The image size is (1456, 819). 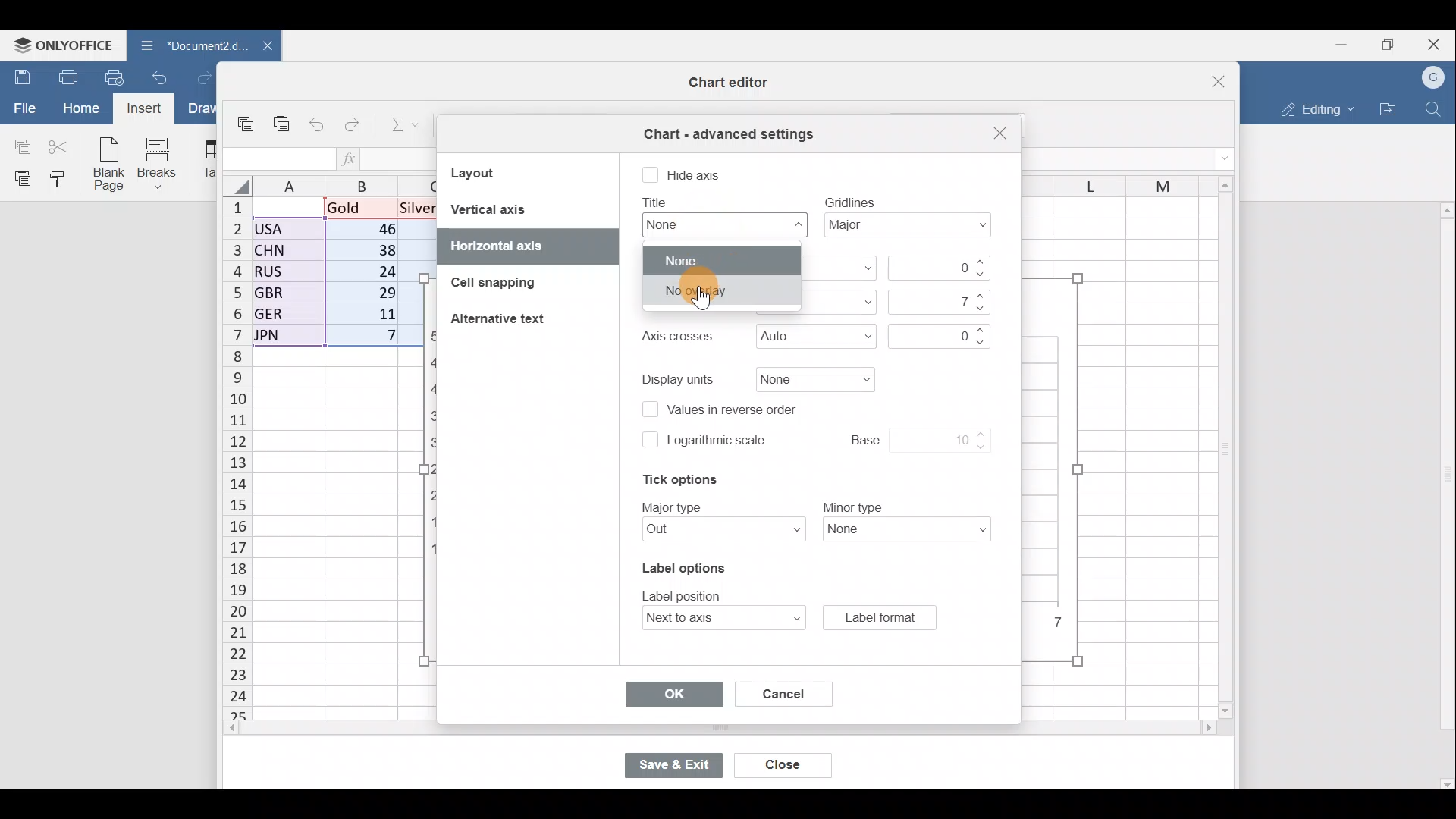 What do you see at coordinates (679, 378) in the screenshot?
I see `text` at bounding box center [679, 378].